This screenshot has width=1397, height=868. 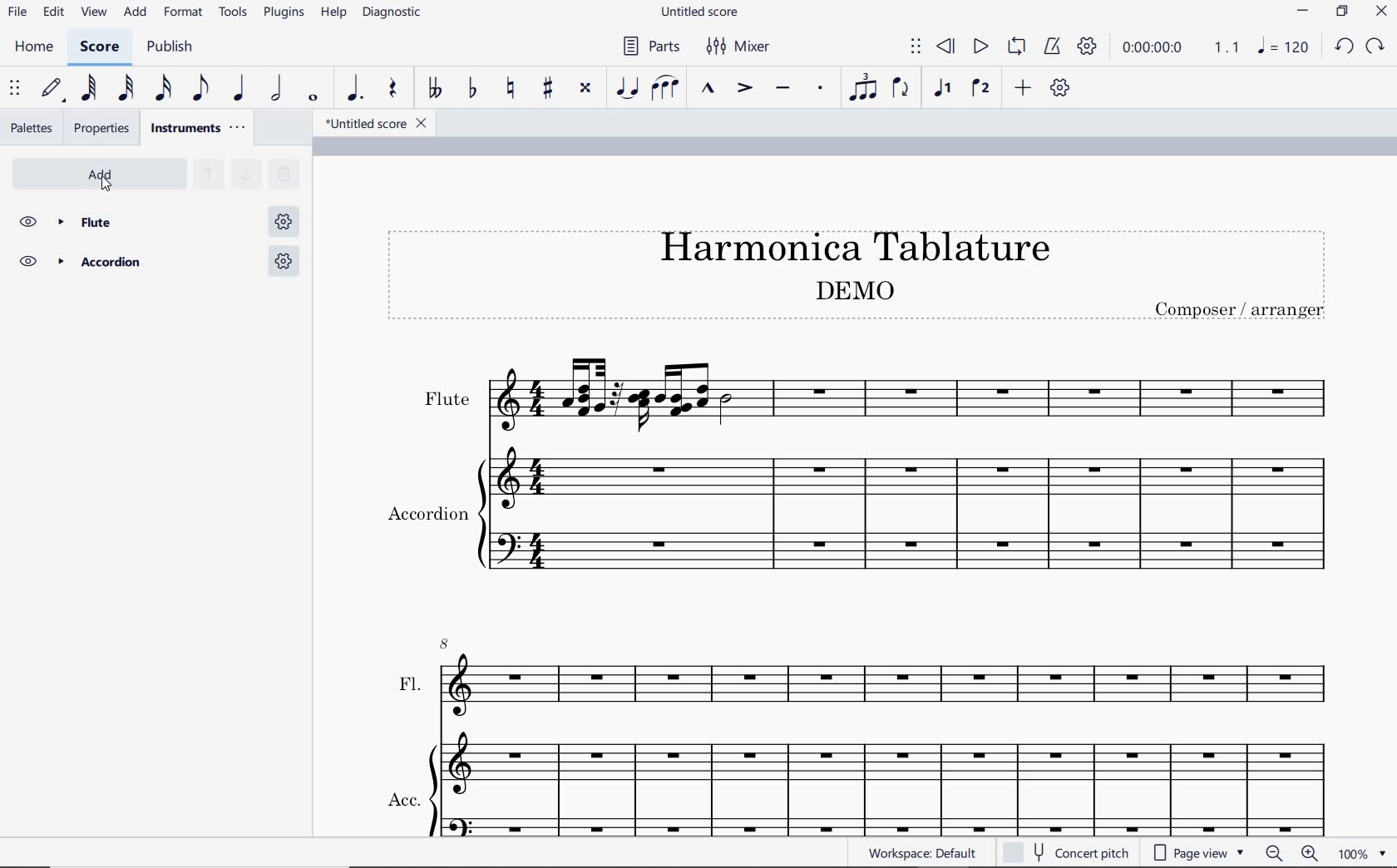 What do you see at coordinates (1344, 46) in the screenshot?
I see `UNDO` at bounding box center [1344, 46].